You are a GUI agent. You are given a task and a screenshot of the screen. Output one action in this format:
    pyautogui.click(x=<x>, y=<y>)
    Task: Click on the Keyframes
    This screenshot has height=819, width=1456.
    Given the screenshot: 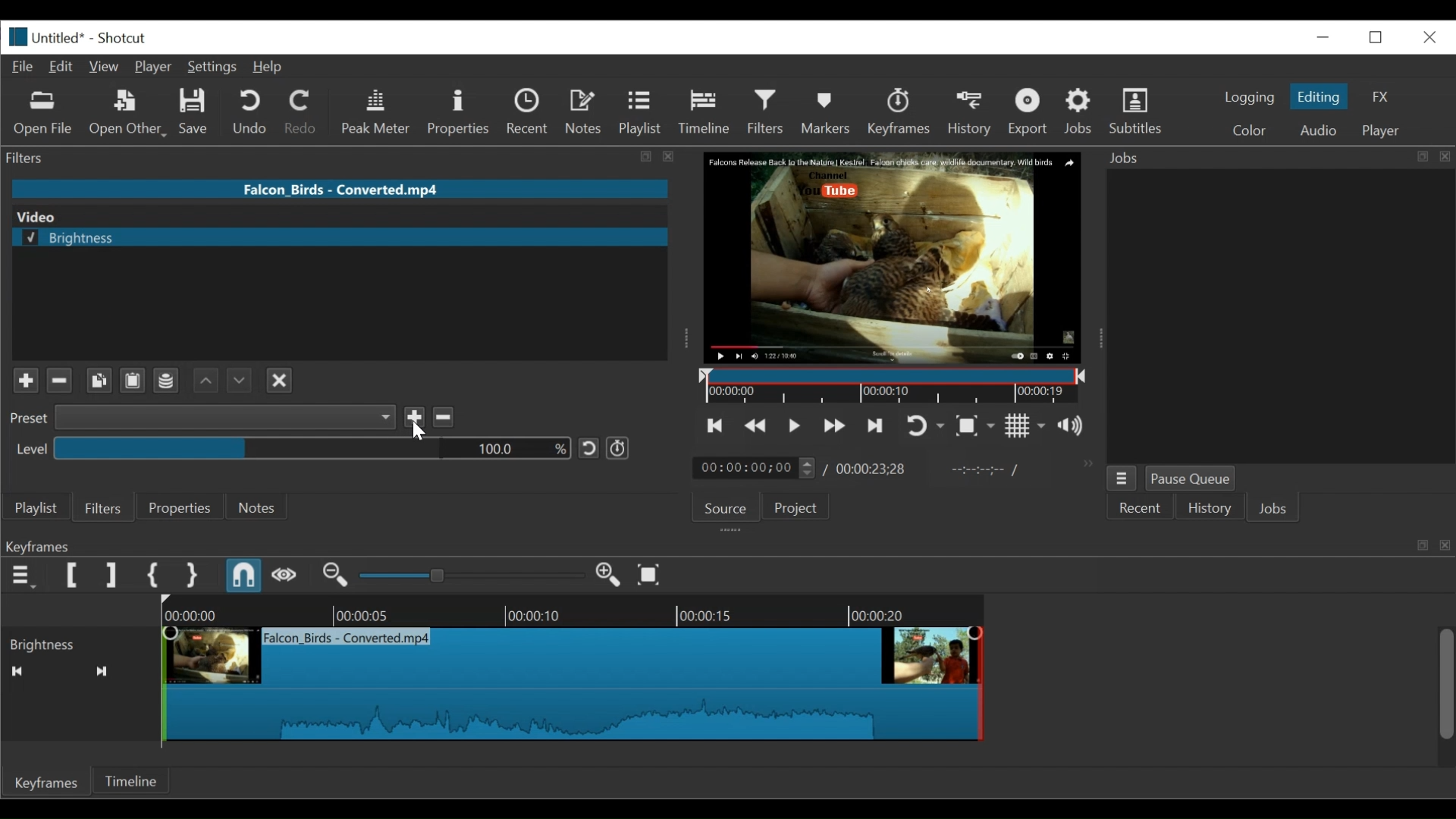 What is the action you would take?
    pyautogui.click(x=899, y=111)
    